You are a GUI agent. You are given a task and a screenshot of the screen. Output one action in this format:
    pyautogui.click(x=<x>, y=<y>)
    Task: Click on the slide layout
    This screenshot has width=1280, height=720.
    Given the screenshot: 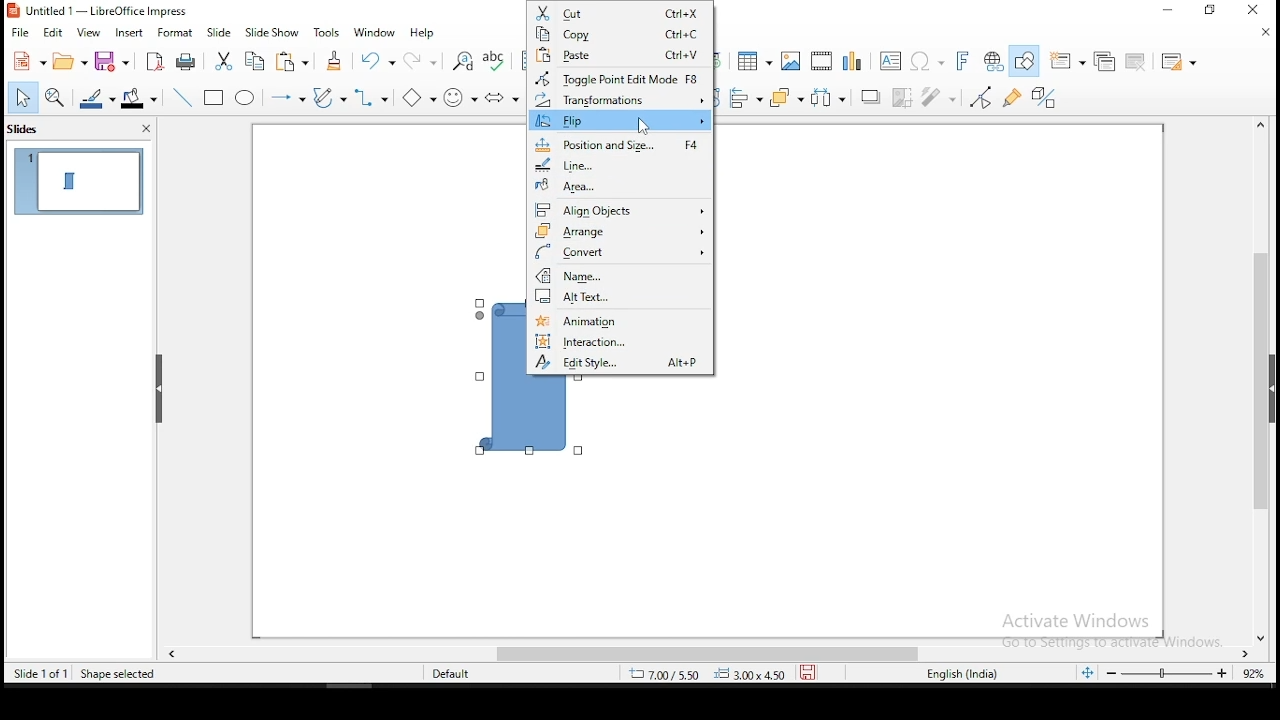 What is the action you would take?
    pyautogui.click(x=1181, y=62)
    